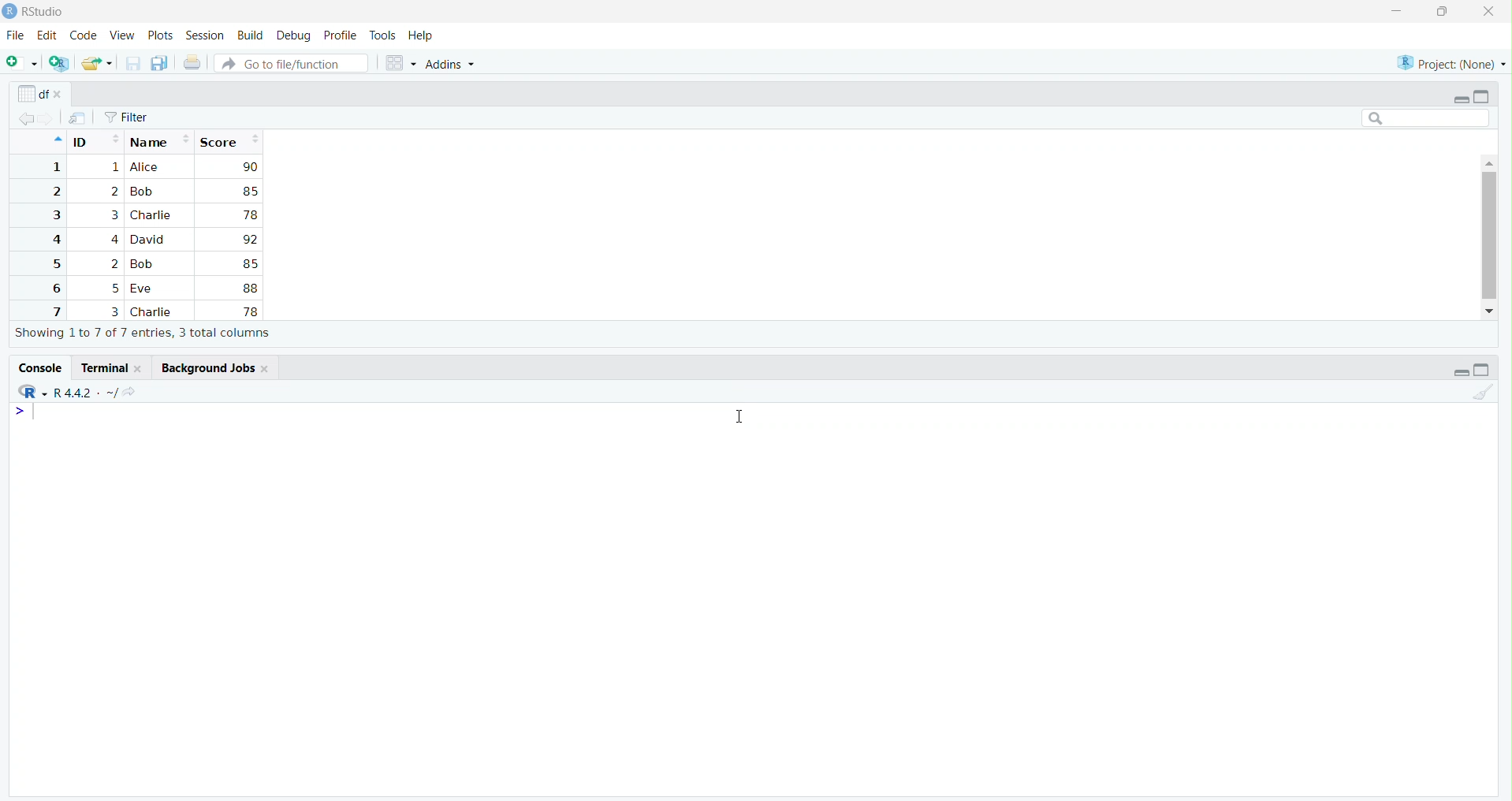 The width and height of the screenshot is (1512, 801). I want to click on close, so click(61, 95).